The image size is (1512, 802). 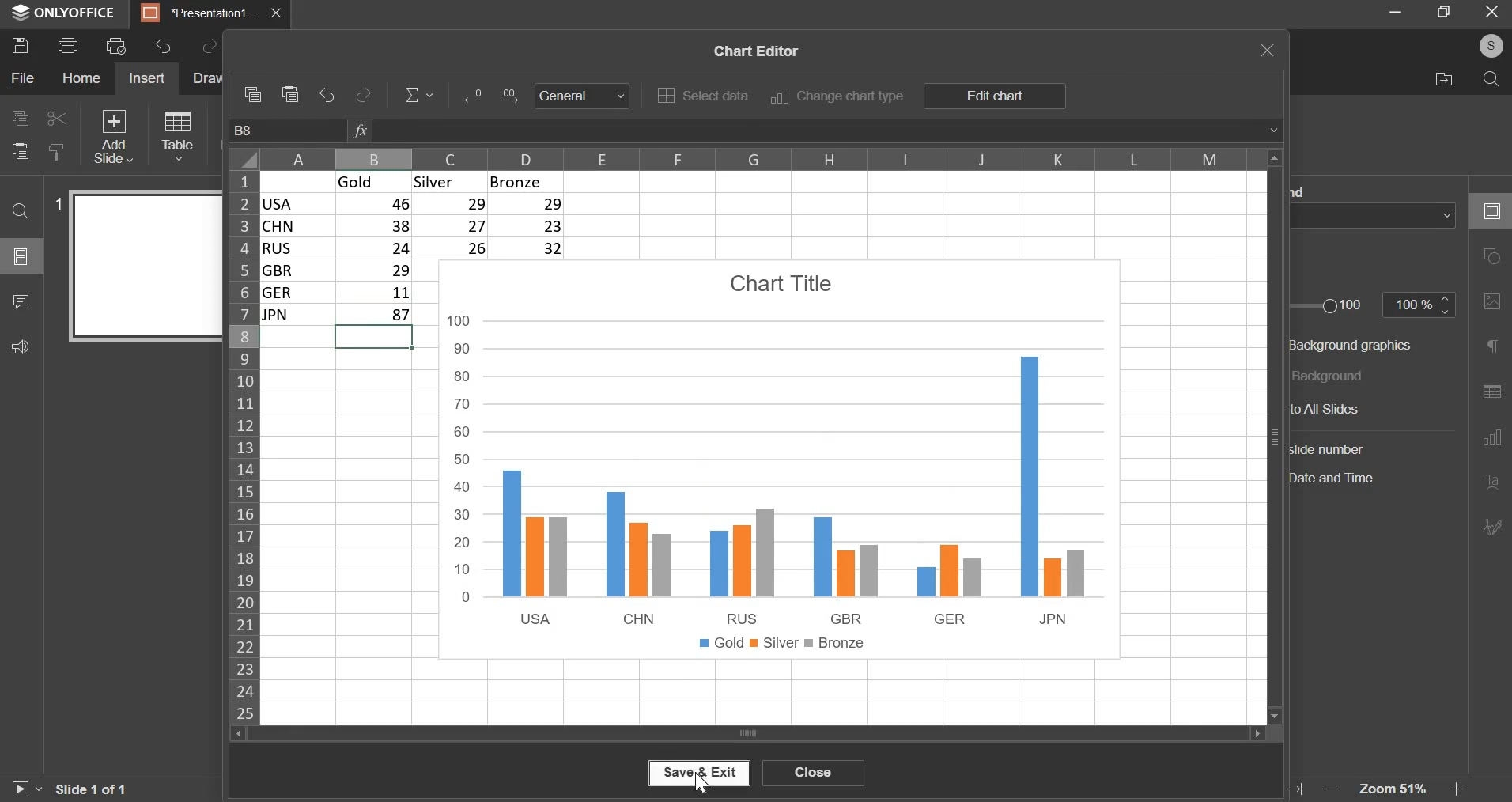 I want to click on change chart type, so click(x=837, y=96).